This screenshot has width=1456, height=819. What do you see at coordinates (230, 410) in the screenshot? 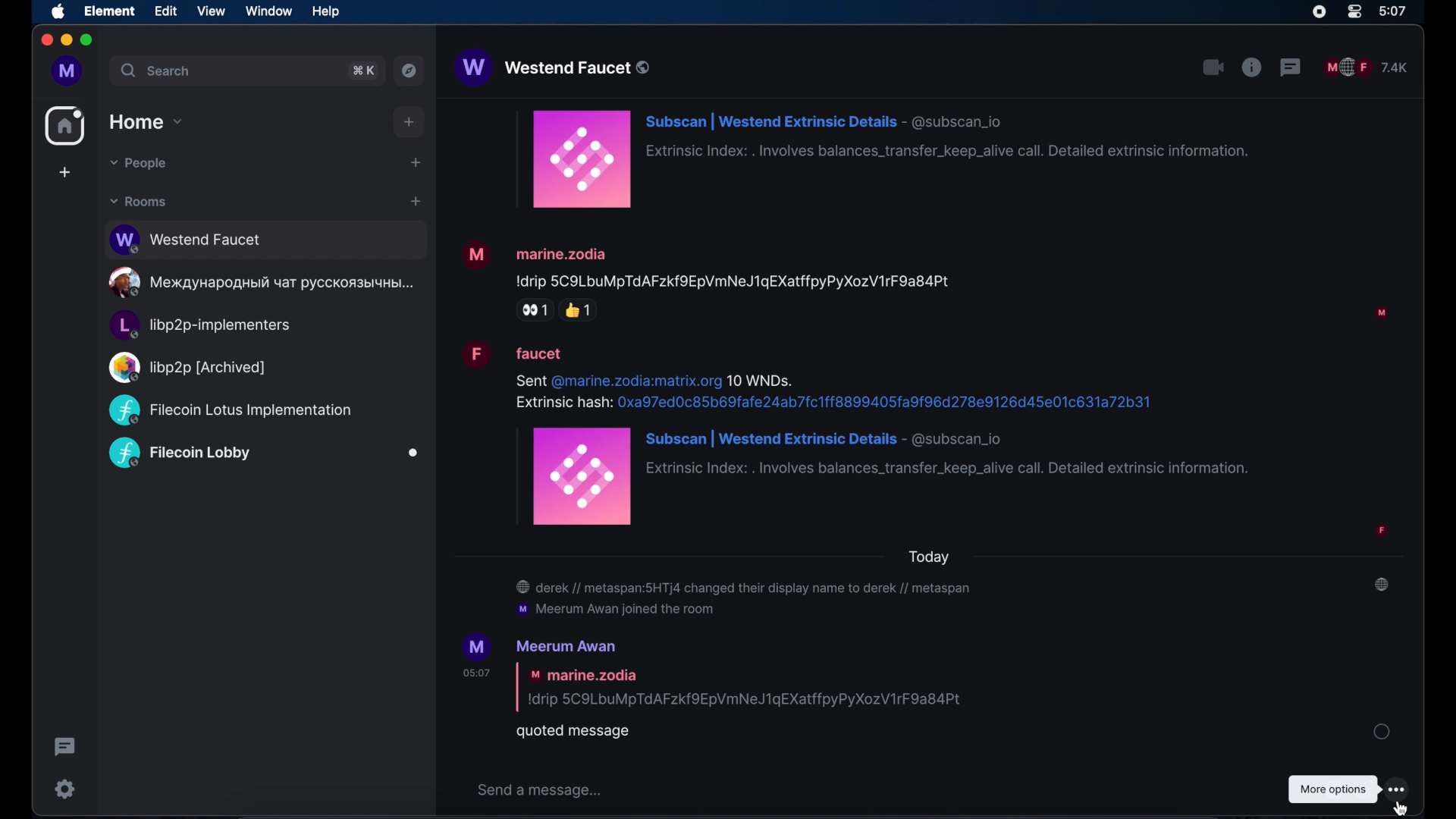
I see `public room` at bounding box center [230, 410].